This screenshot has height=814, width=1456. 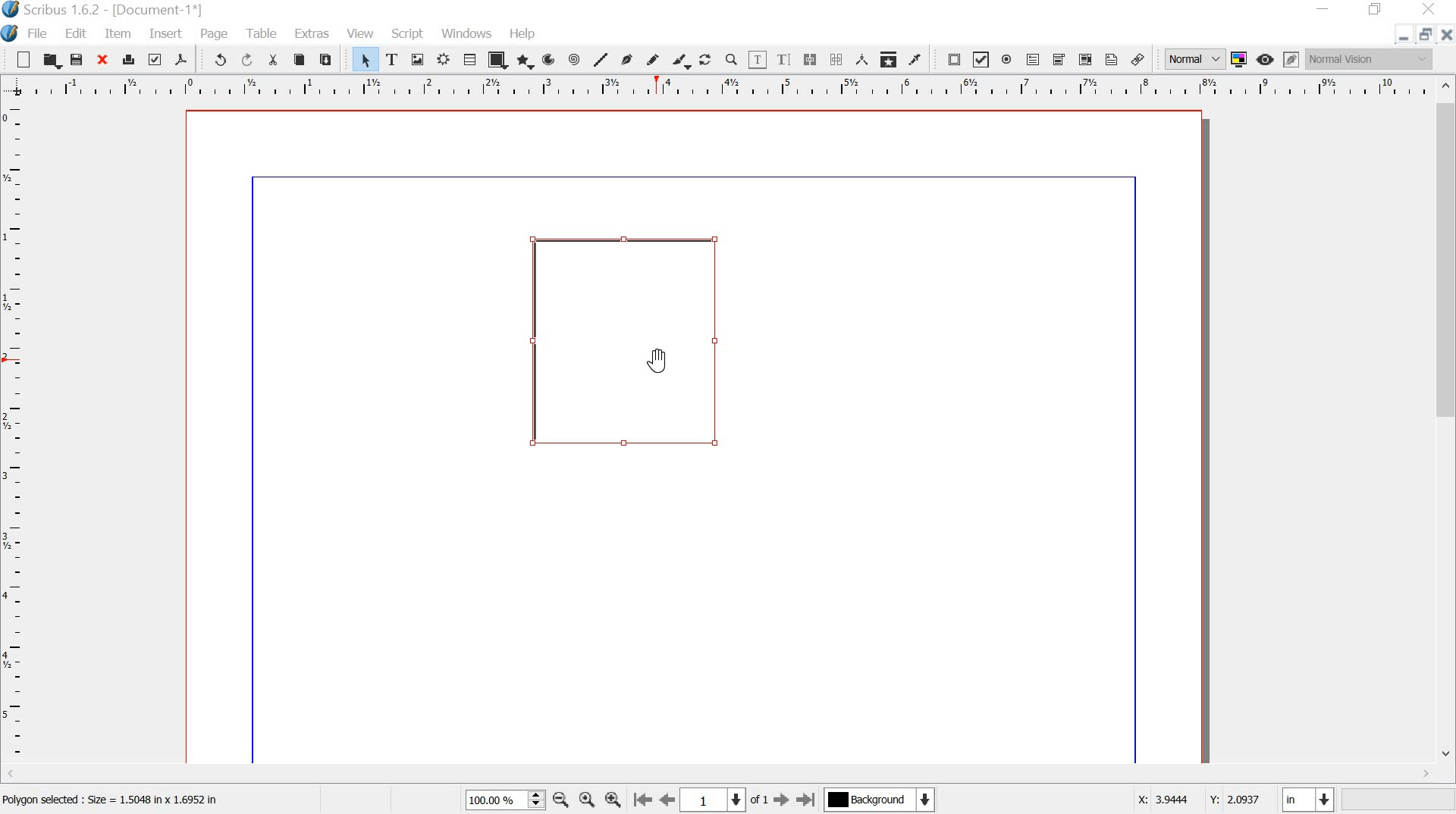 I want to click on ruler, so click(x=14, y=435).